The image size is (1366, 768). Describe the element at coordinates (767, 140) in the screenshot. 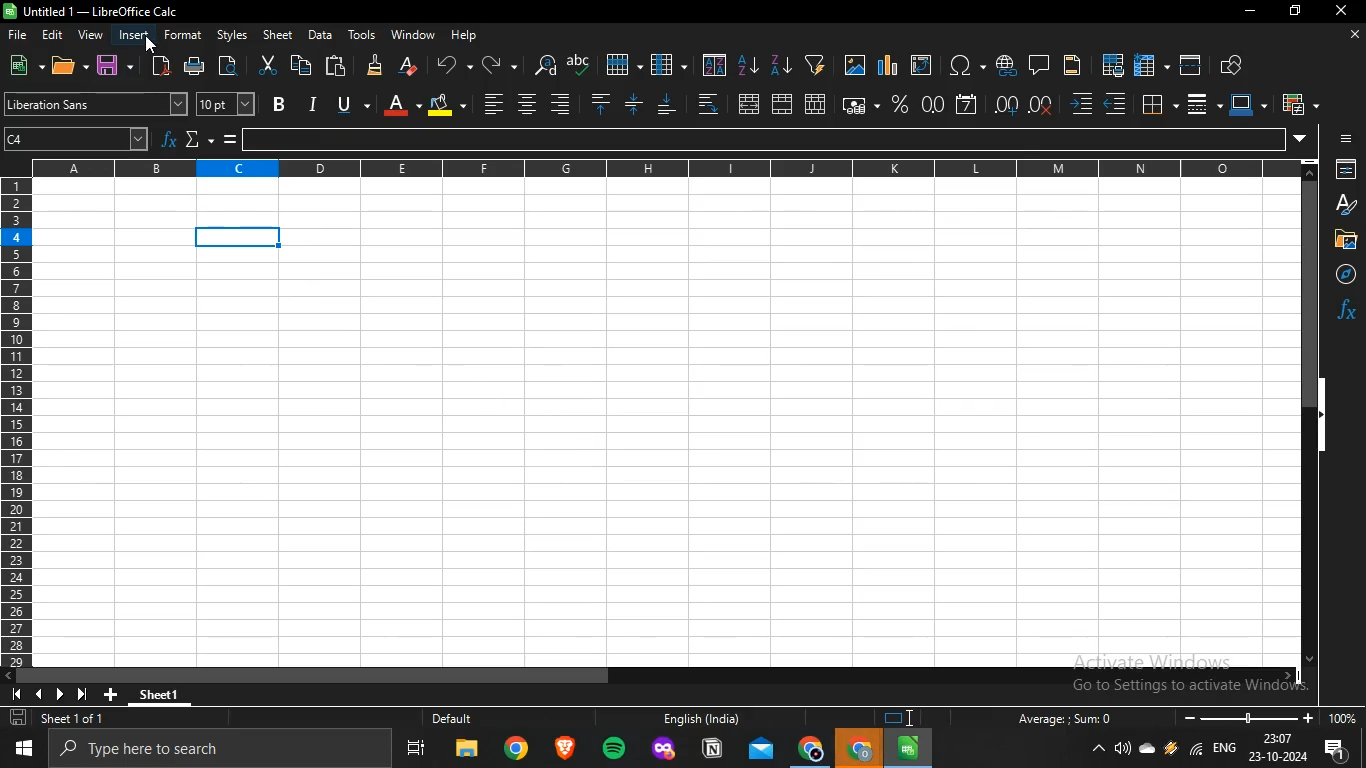

I see `input line` at that location.